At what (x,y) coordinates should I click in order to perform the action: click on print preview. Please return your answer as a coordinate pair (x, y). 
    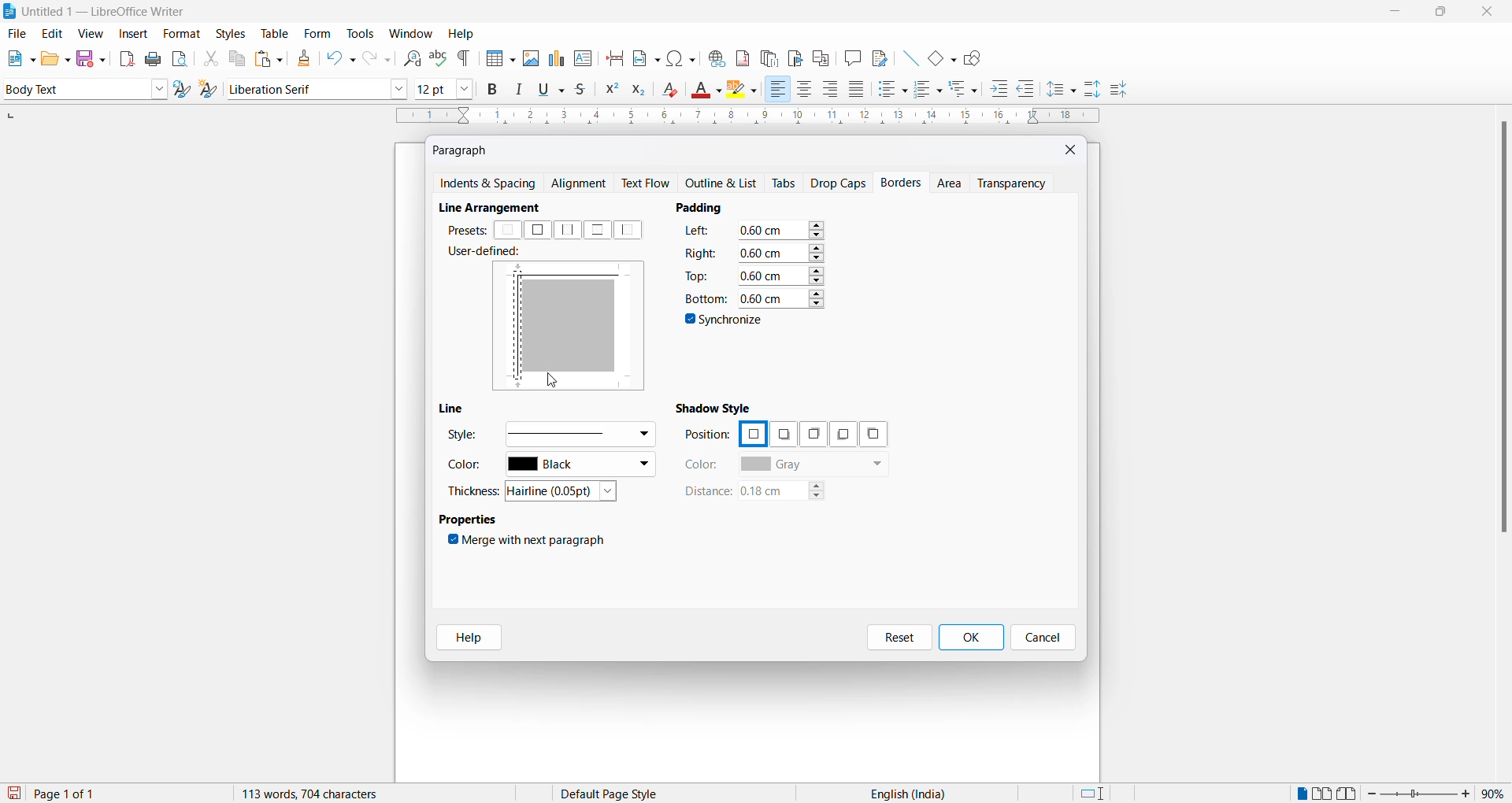
    Looking at the image, I should click on (180, 58).